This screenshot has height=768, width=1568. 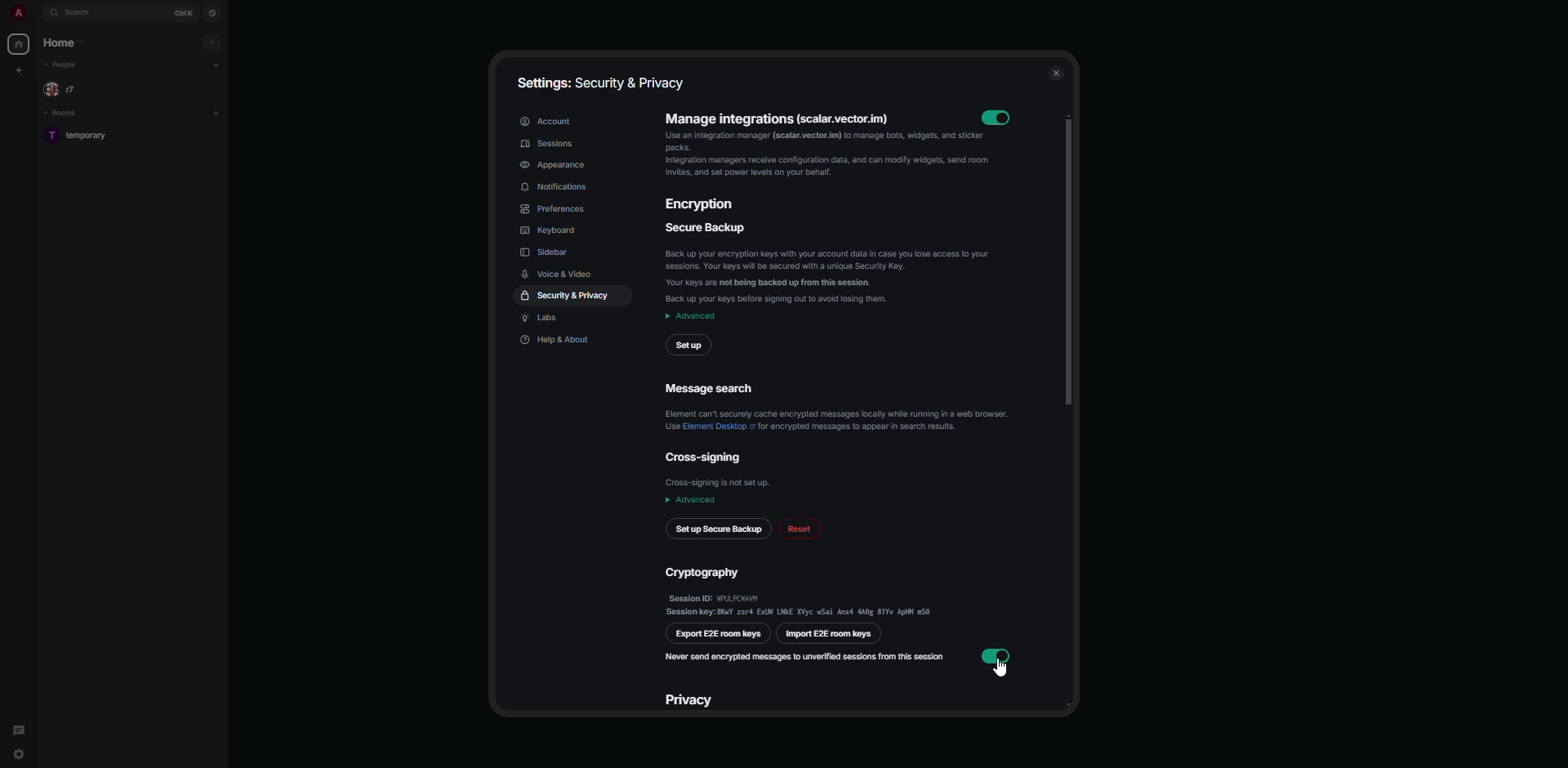 I want to click on account, so click(x=547, y=121).